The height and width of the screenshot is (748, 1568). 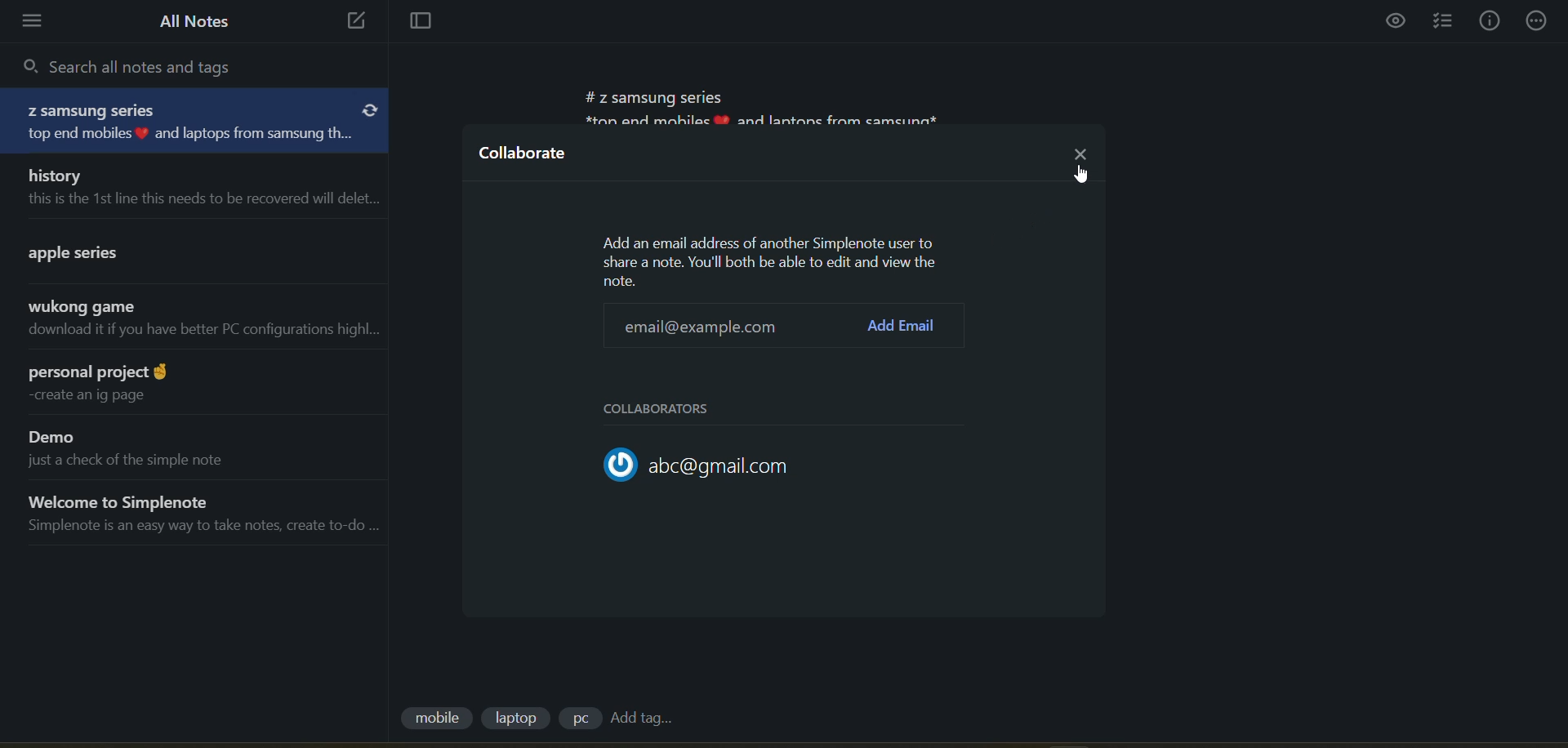 What do you see at coordinates (139, 65) in the screenshot?
I see `search all notes and tags` at bounding box center [139, 65].